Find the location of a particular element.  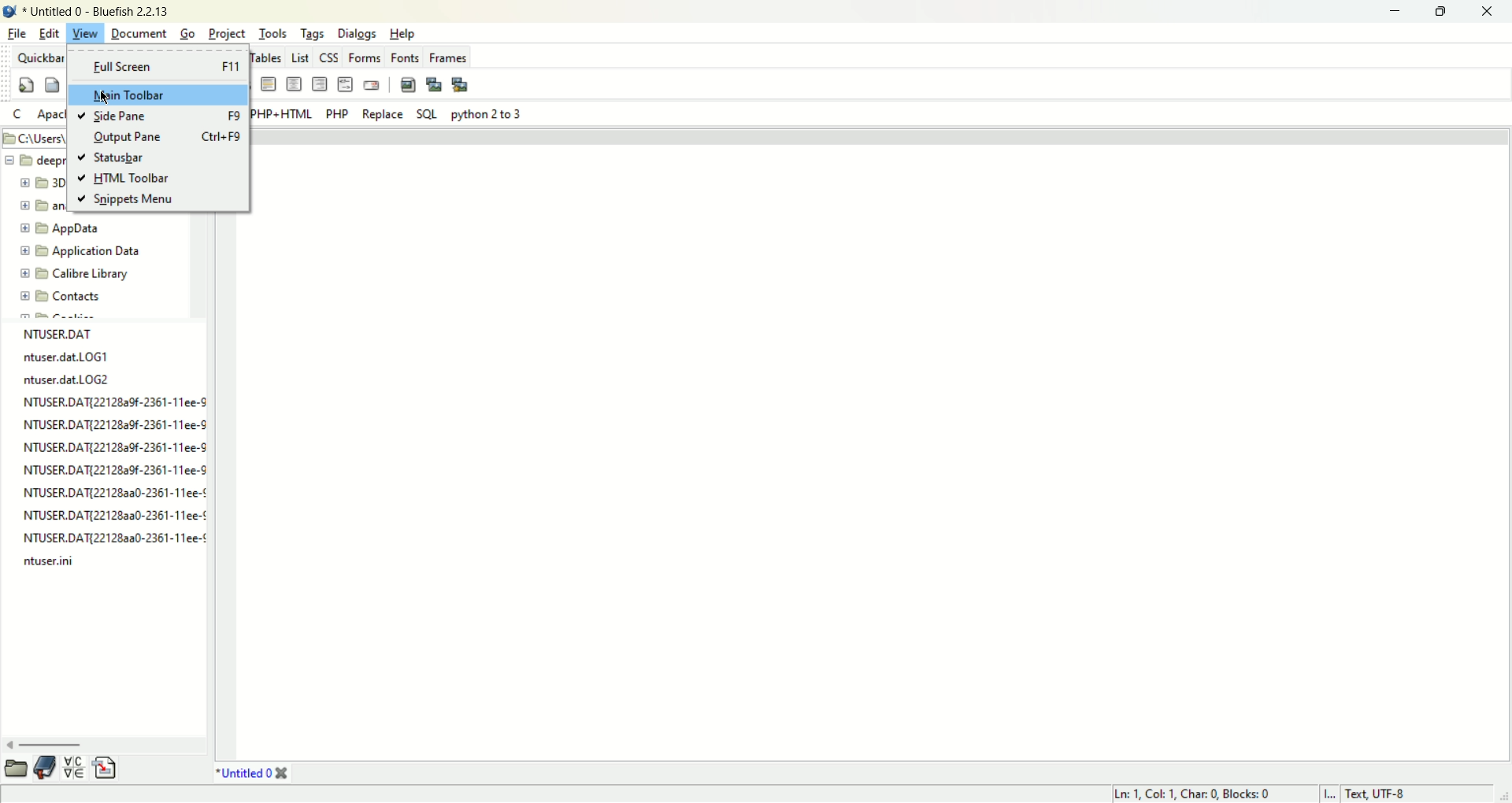

minimize is located at coordinates (1393, 13).